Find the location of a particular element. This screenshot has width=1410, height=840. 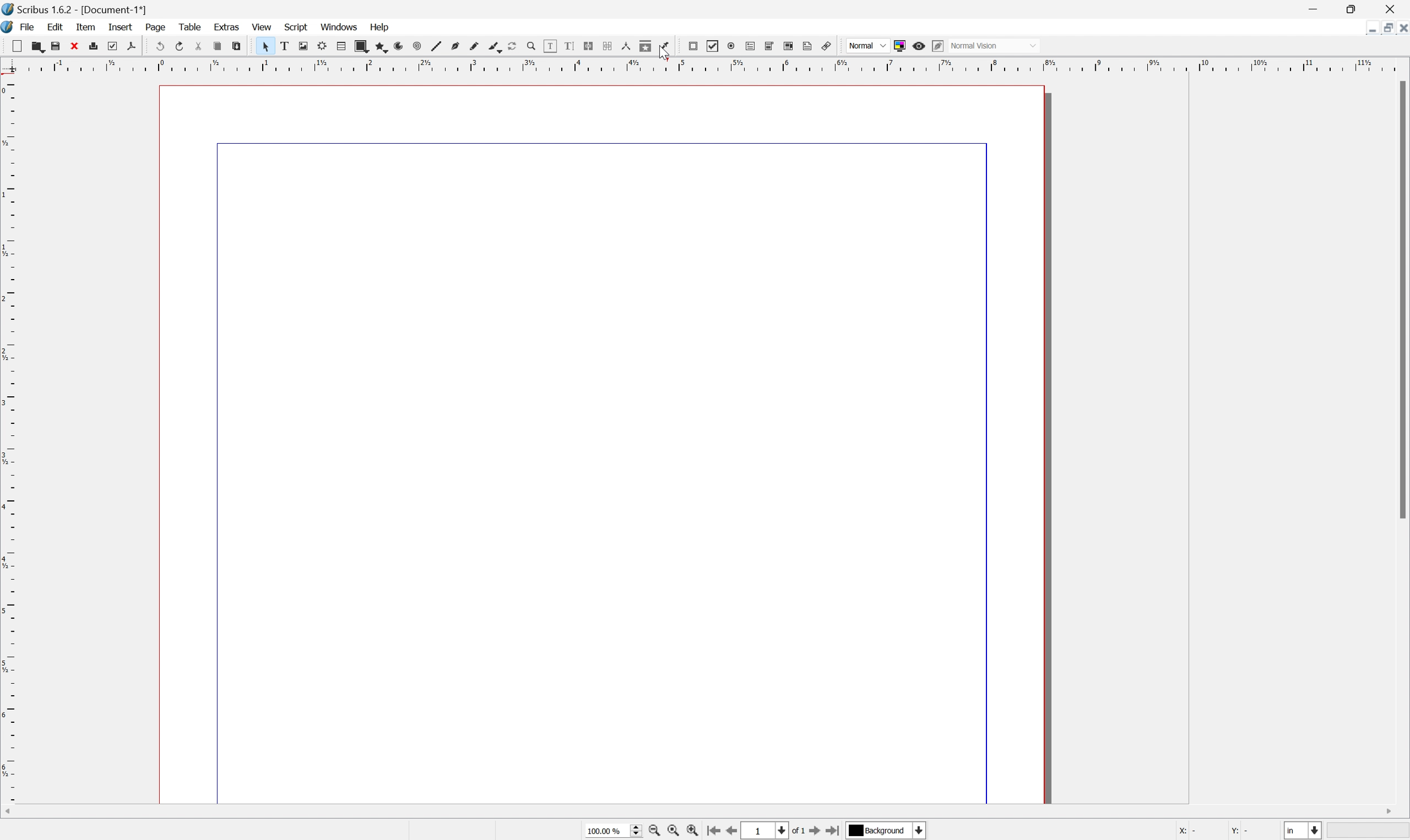

Rotate item is located at coordinates (511, 45).